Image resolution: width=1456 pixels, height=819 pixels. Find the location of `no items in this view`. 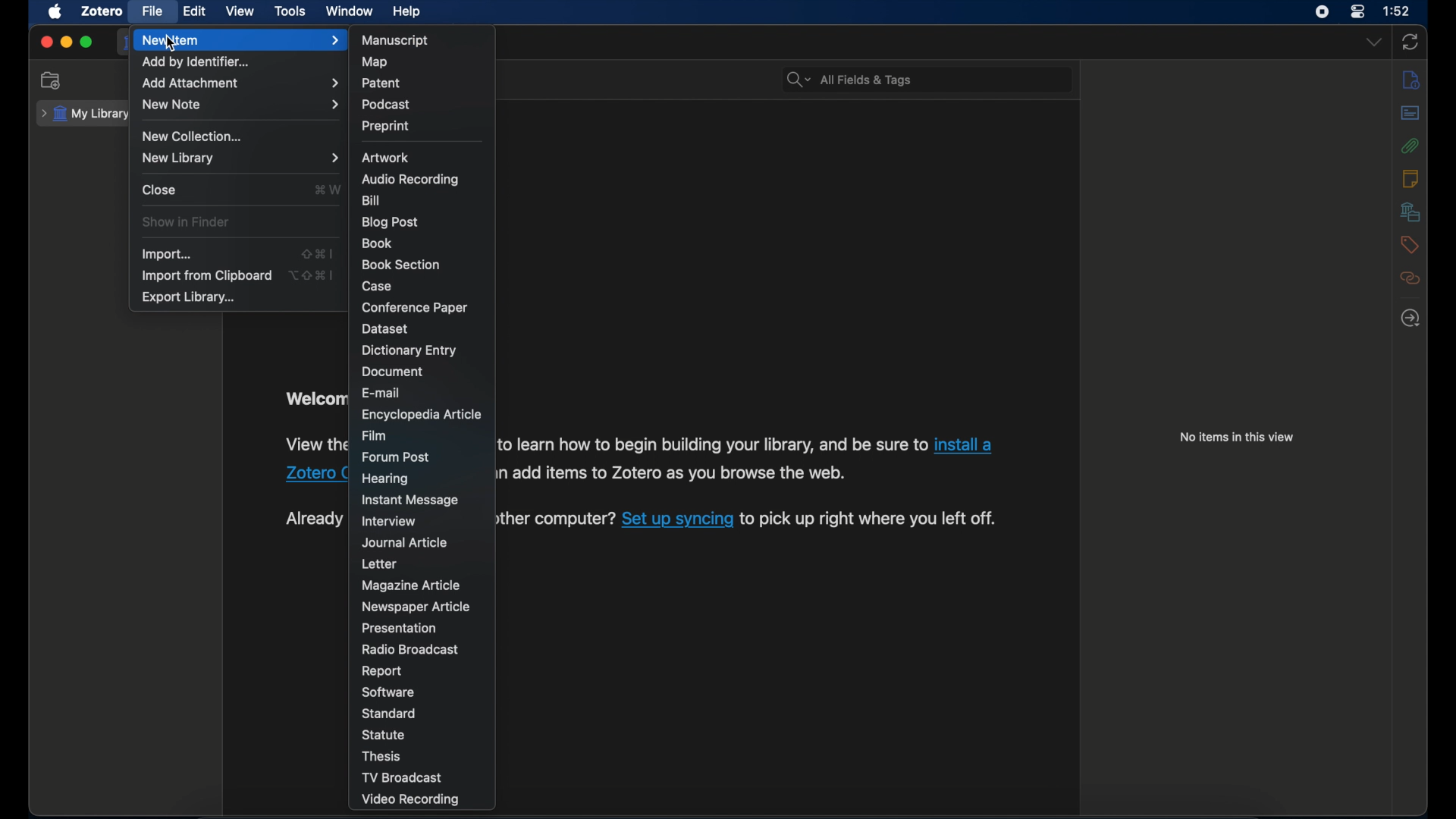

no items in this view is located at coordinates (1237, 438).